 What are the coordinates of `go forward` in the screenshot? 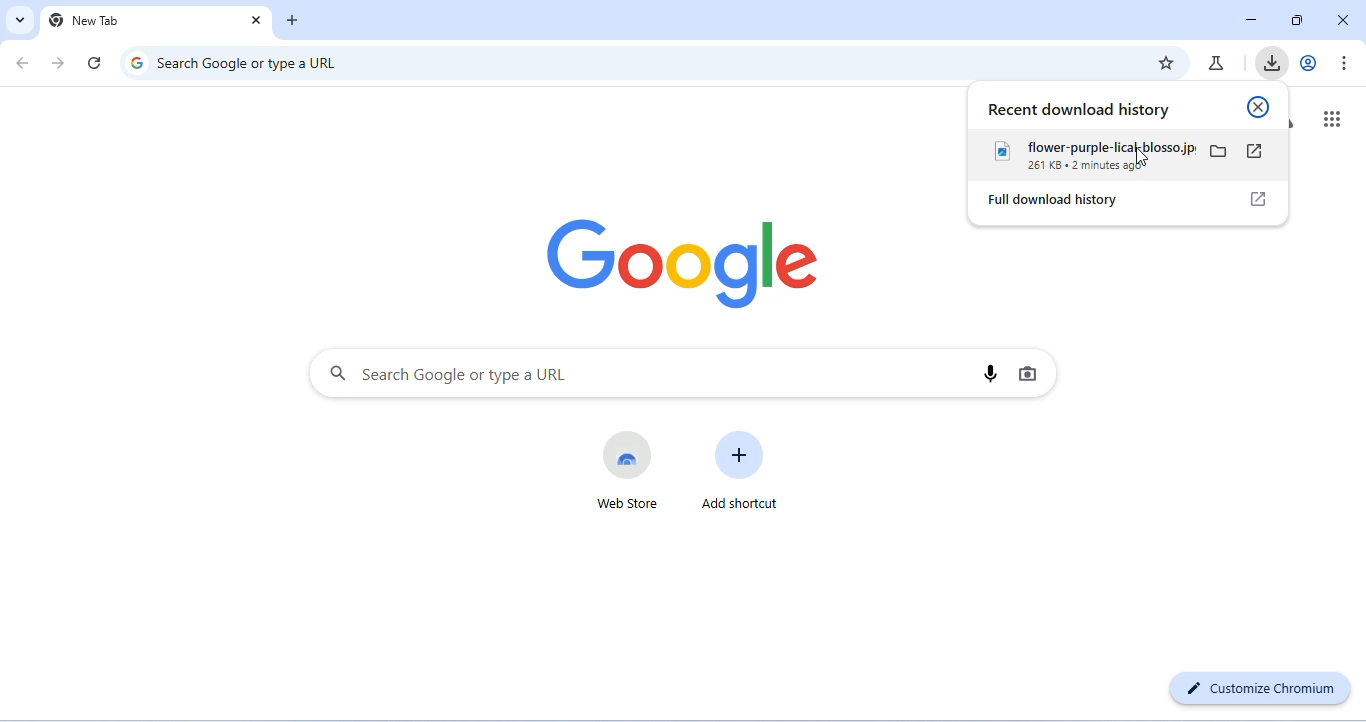 It's located at (61, 63).